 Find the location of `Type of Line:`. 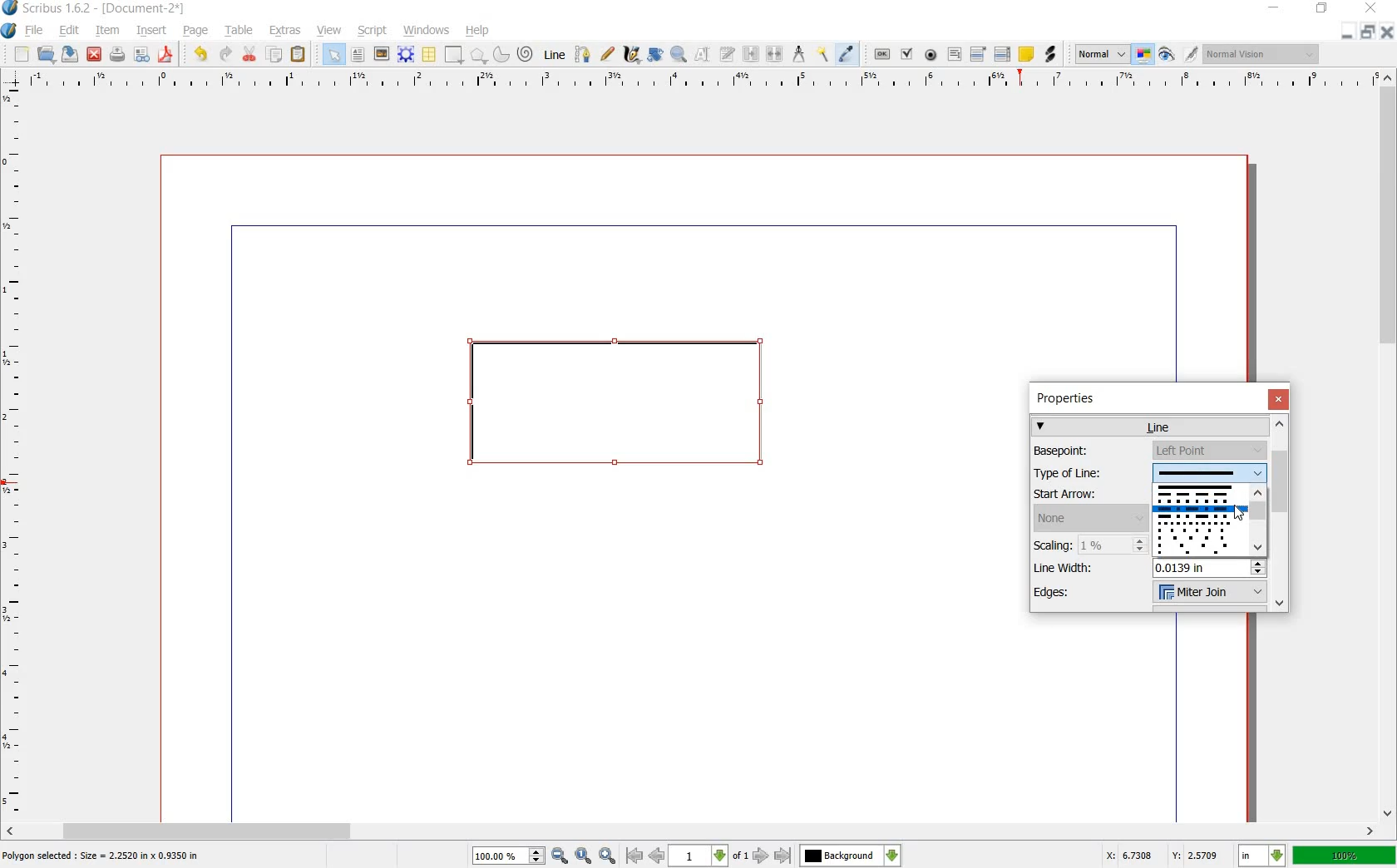

Type of Line: is located at coordinates (1085, 475).